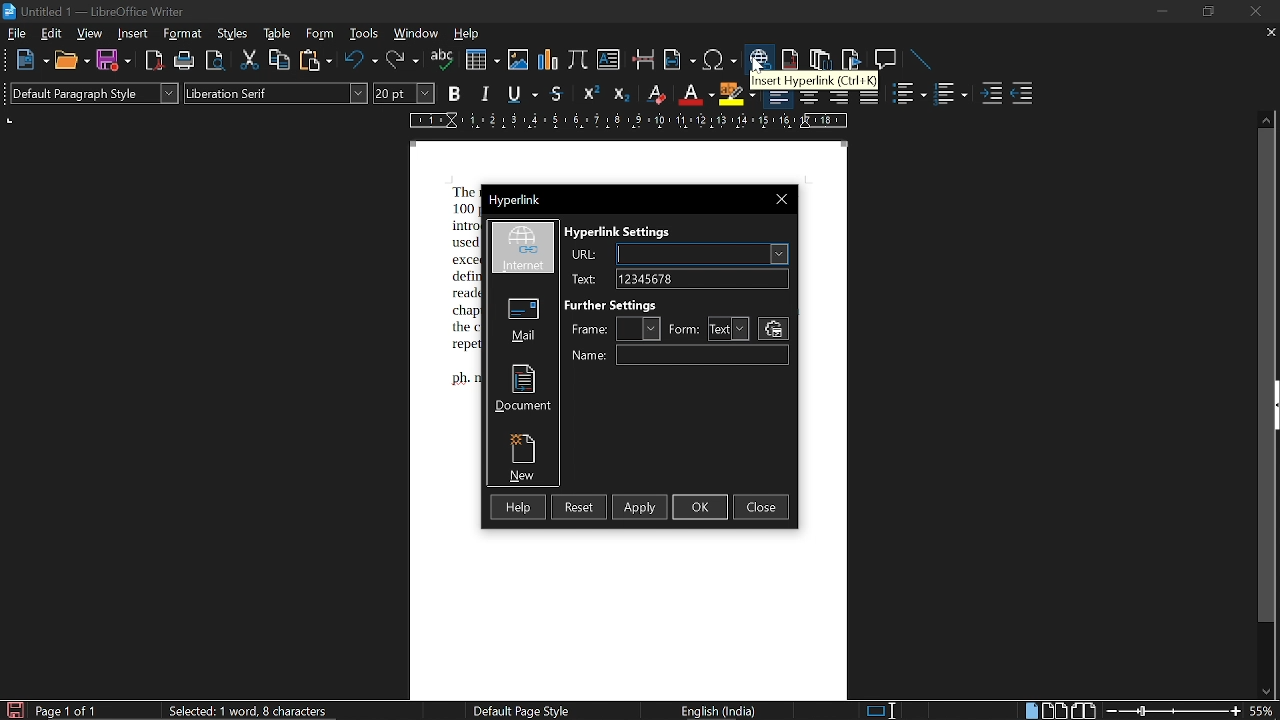 This screenshot has width=1280, height=720. Describe the element at coordinates (481, 60) in the screenshot. I see `insert table` at that location.